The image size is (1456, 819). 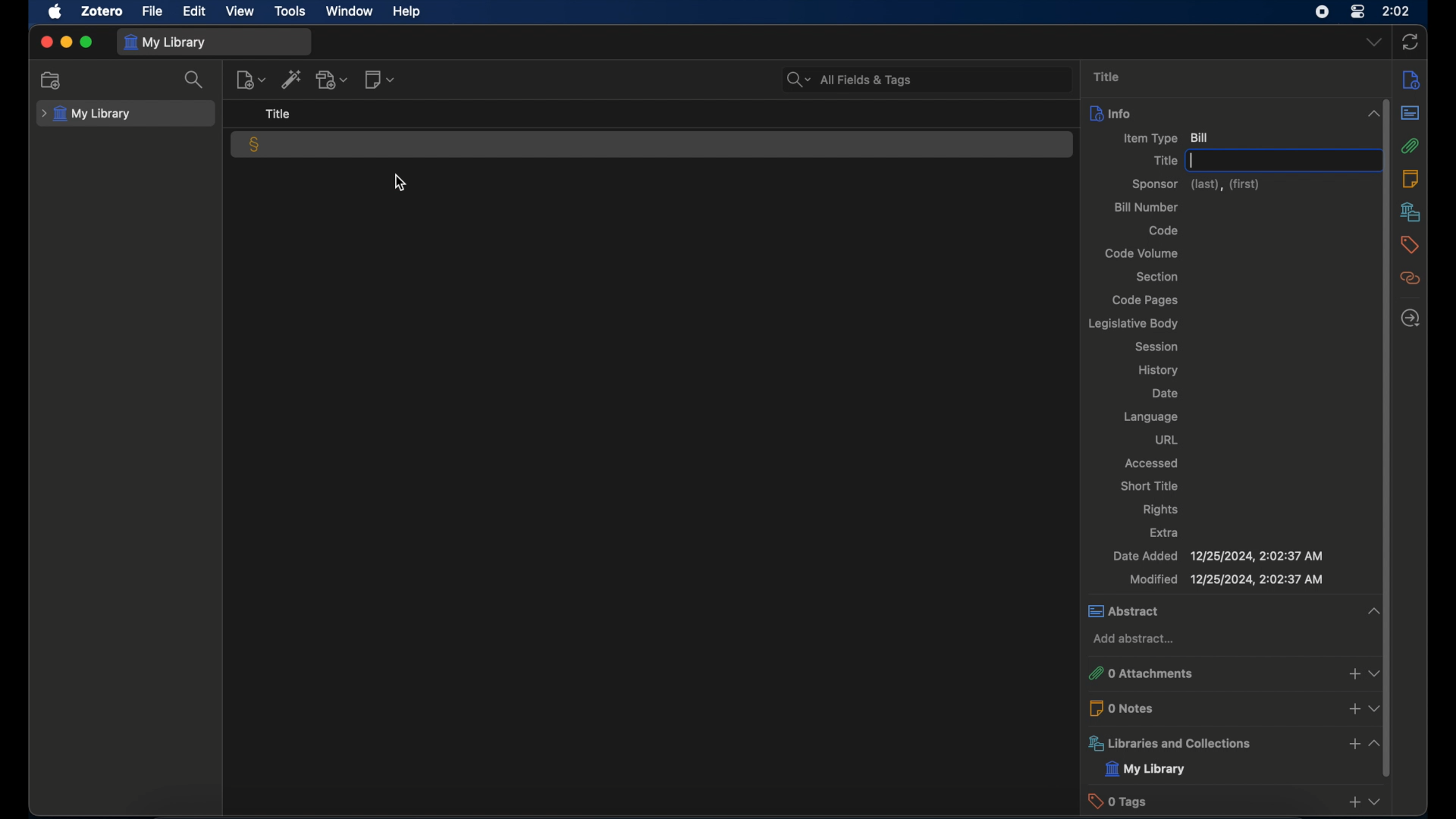 What do you see at coordinates (1168, 138) in the screenshot?
I see `item type` at bounding box center [1168, 138].